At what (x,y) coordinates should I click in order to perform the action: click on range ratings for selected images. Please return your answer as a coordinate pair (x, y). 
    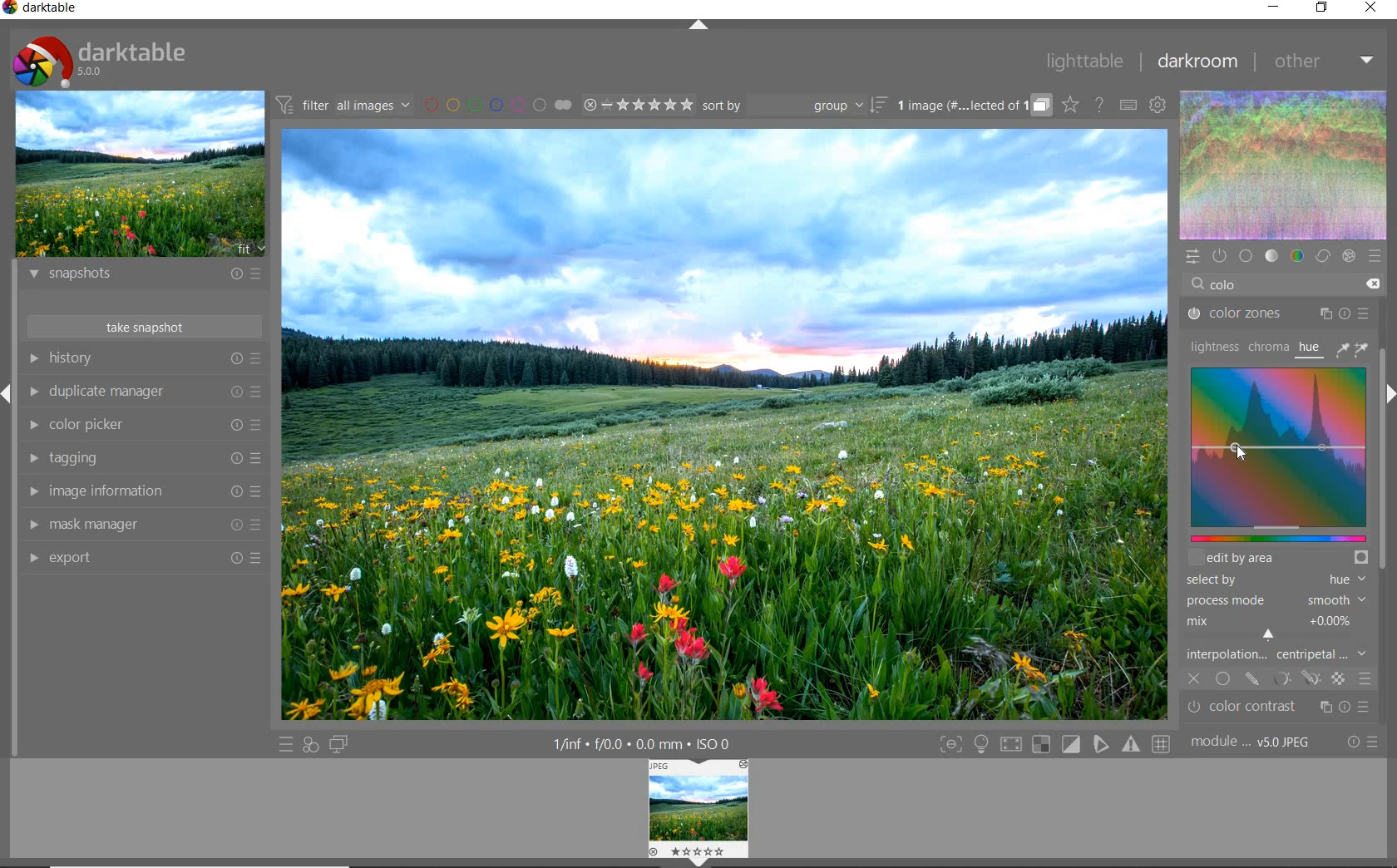
    Looking at the image, I should click on (639, 105).